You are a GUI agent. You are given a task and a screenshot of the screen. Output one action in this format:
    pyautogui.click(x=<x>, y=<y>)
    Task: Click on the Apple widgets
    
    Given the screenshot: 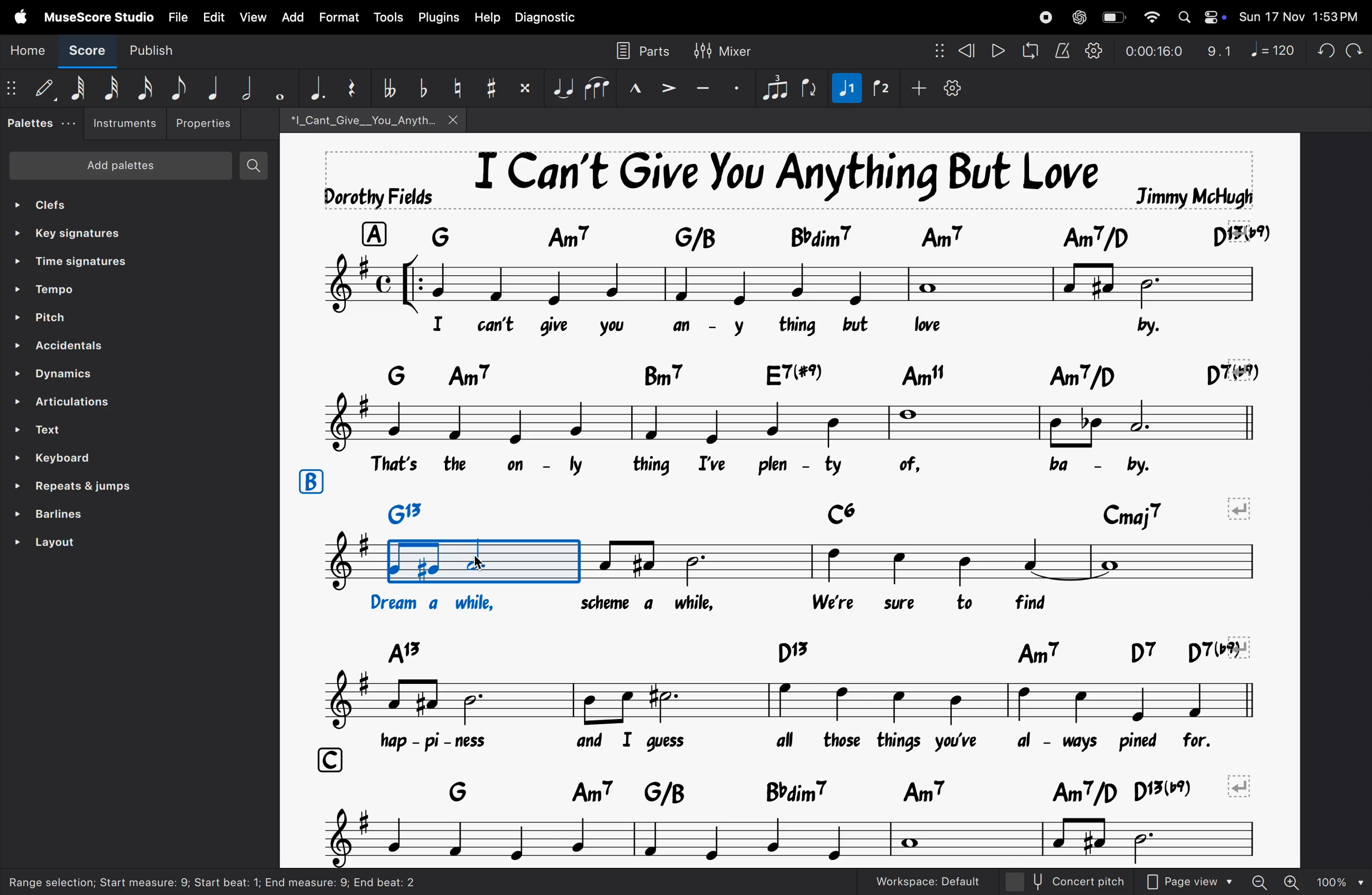 What is the action you would take?
    pyautogui.click(x=1201, y=17)
    